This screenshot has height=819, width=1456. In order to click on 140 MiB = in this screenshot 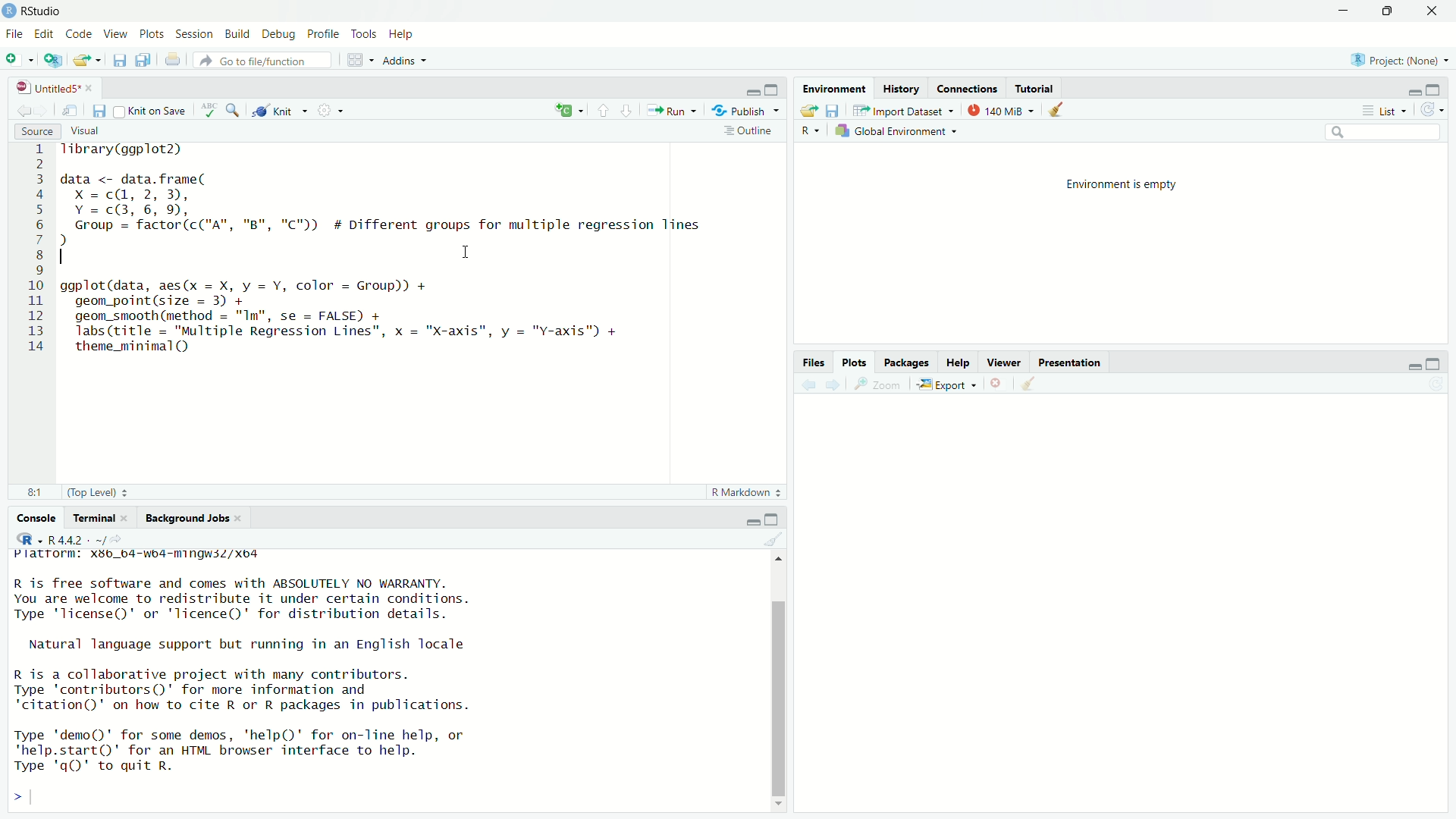, I will do `click(999, 110)`.